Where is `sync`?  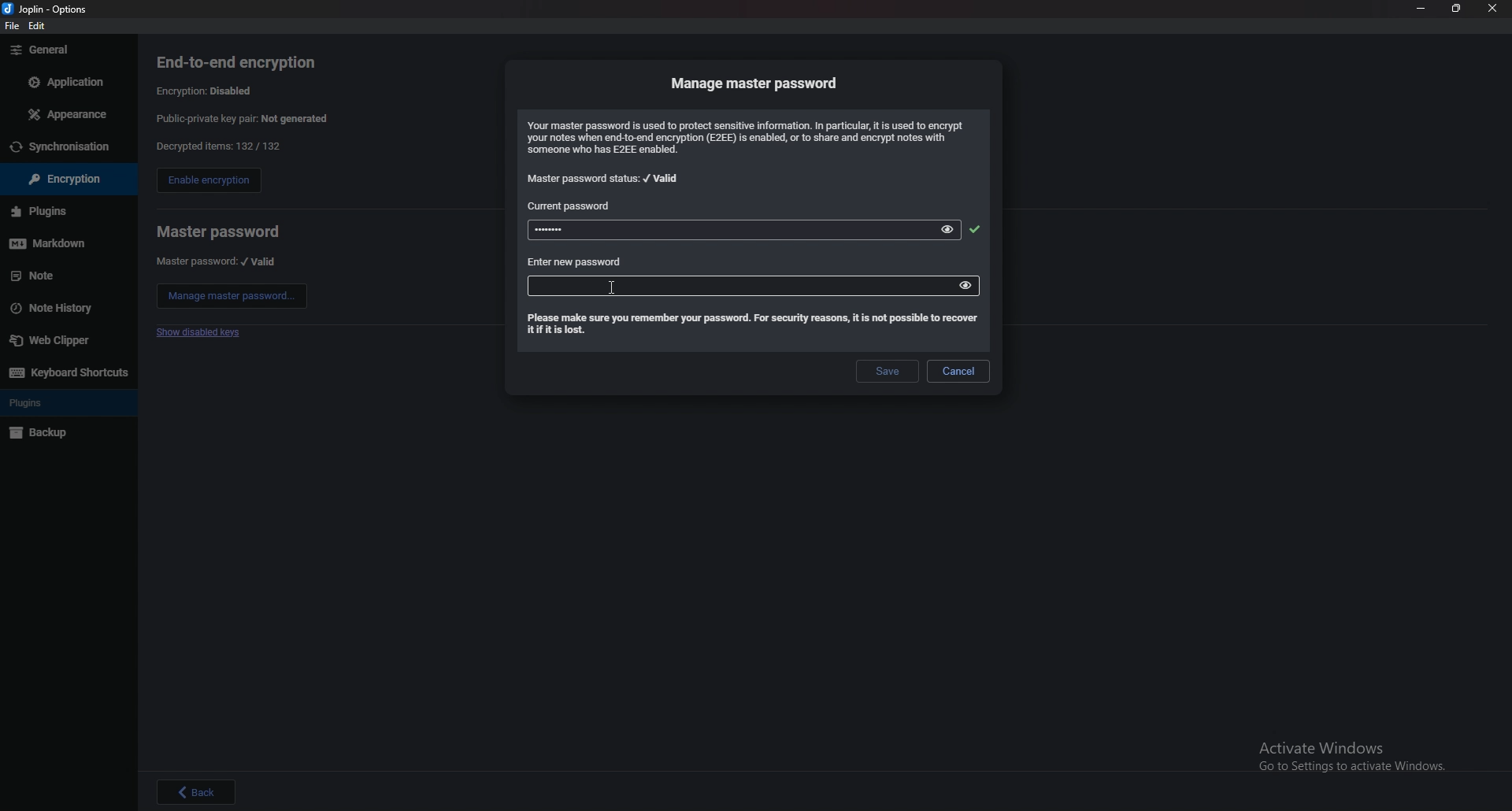
sync is located at coordinates (67, 147).